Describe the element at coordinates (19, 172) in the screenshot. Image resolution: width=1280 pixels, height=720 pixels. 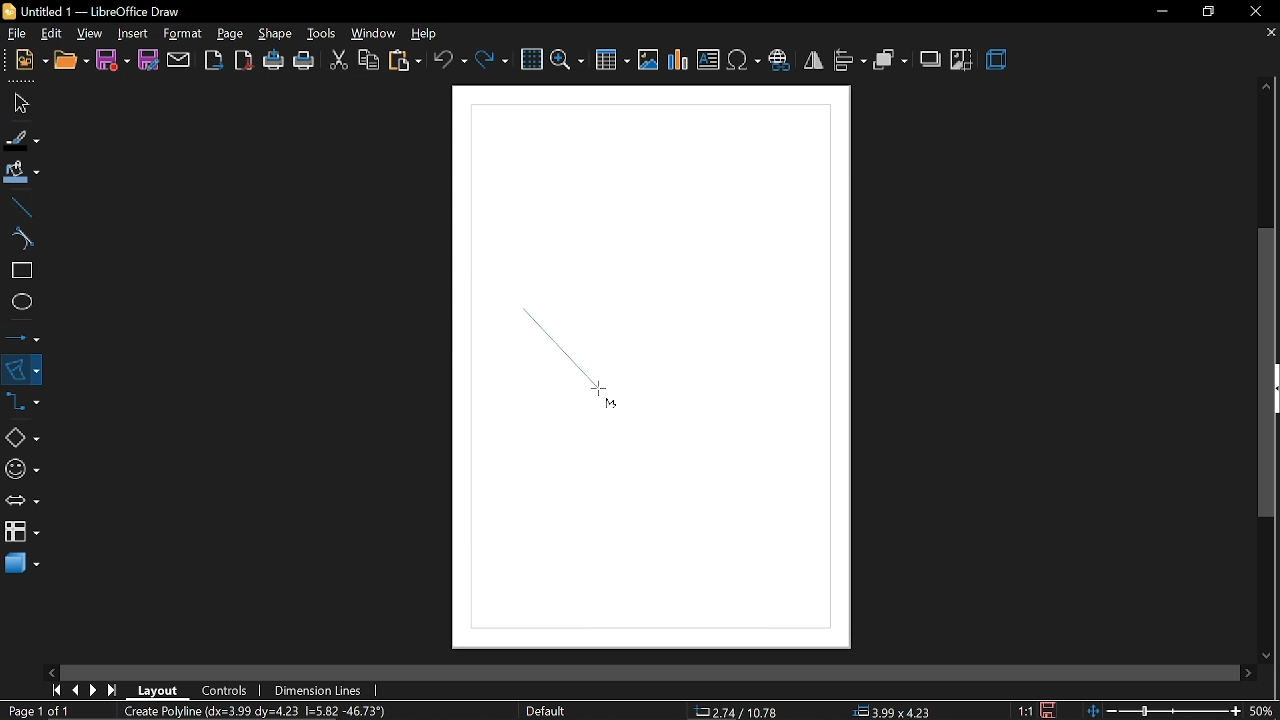
I see `fill color` at that location.